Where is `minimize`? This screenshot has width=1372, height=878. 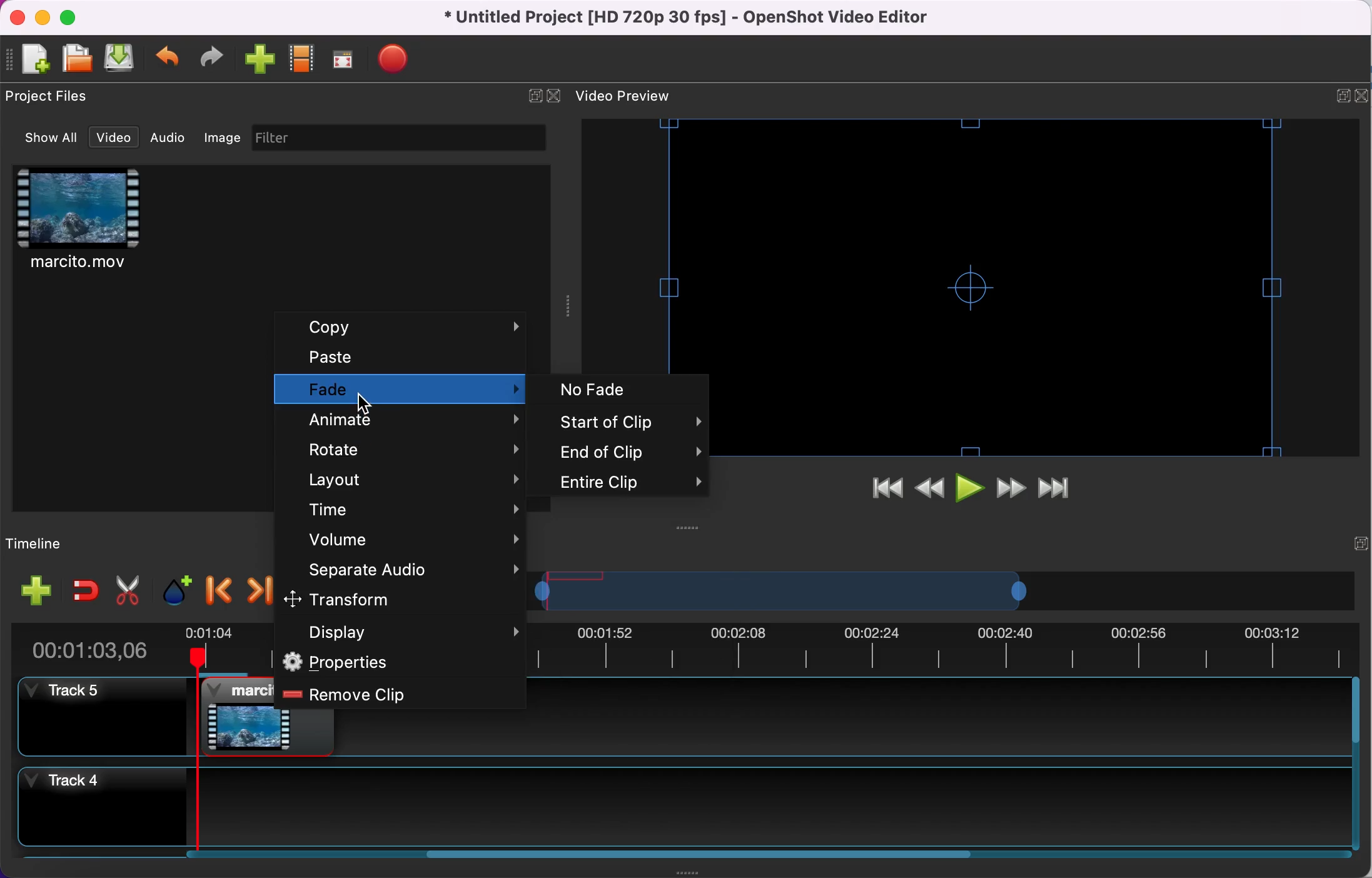
minimize is located at coordinates (43, 18).